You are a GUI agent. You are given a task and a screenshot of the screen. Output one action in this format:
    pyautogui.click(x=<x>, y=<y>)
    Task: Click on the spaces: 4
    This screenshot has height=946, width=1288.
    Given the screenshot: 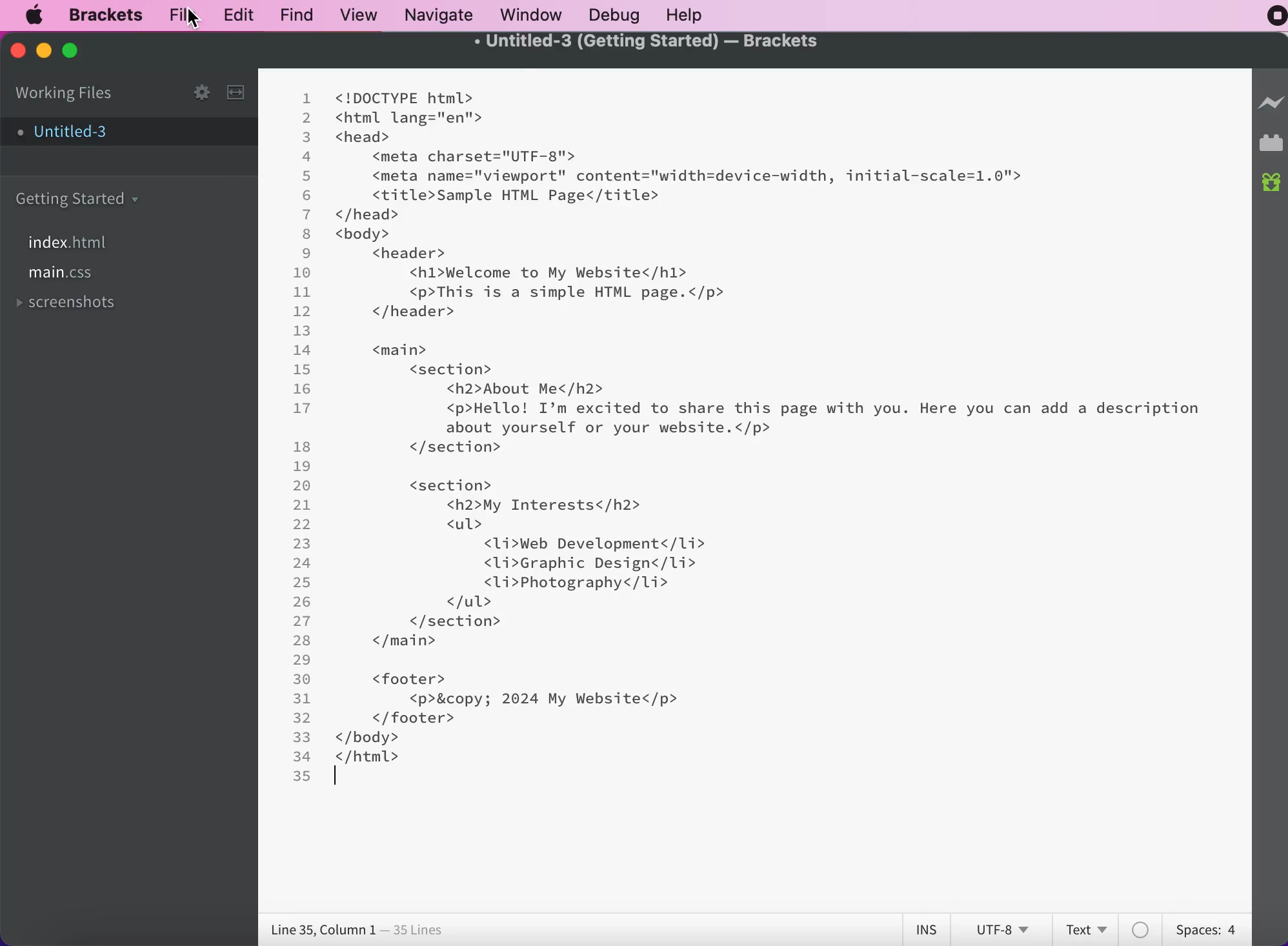 What is the action you would take?
    pyautogui.click(x=1204, y=927)
    